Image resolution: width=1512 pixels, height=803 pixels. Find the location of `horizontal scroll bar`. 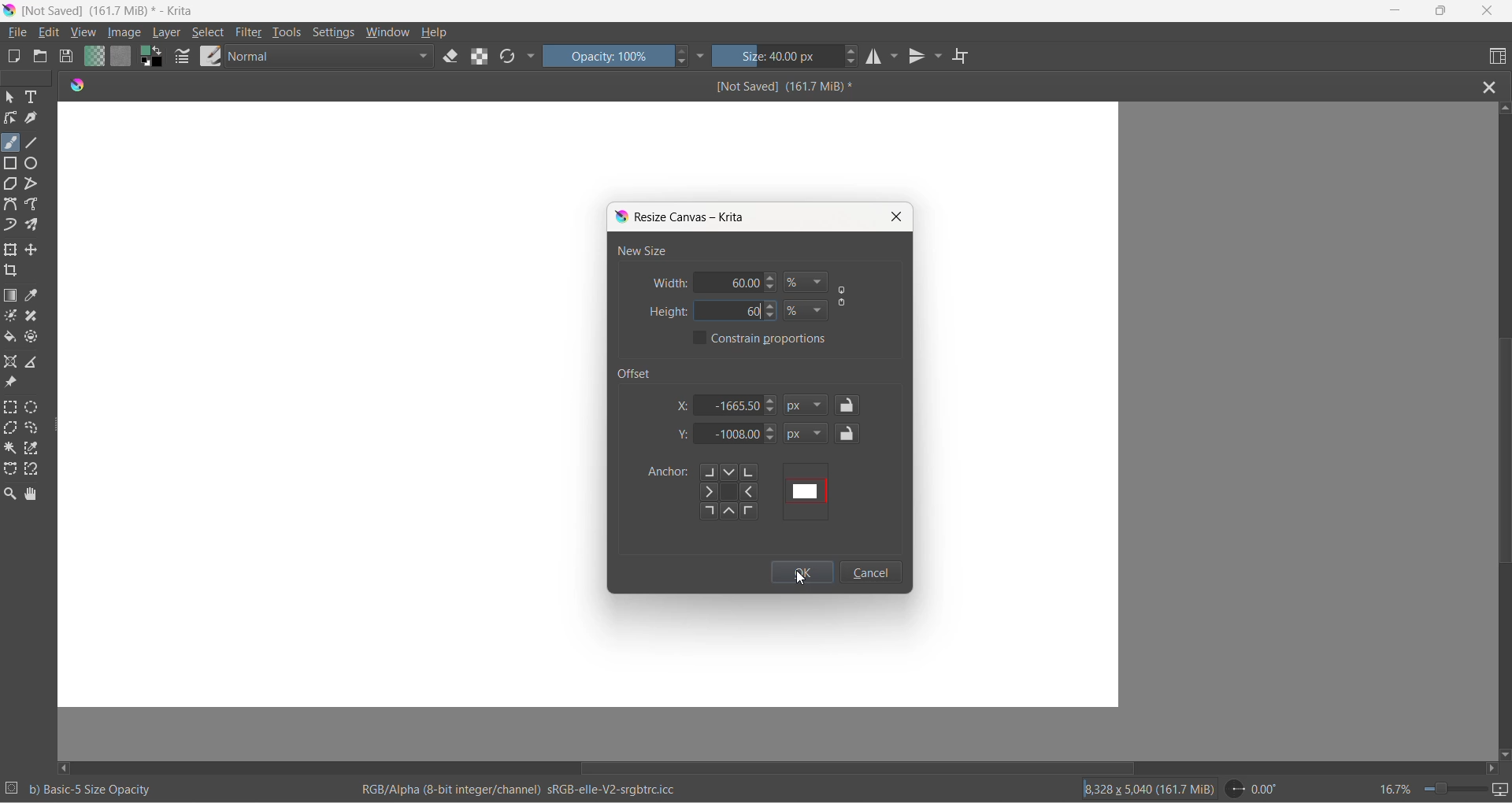

horizontal scroll bar is located at coordinates (857, 768).